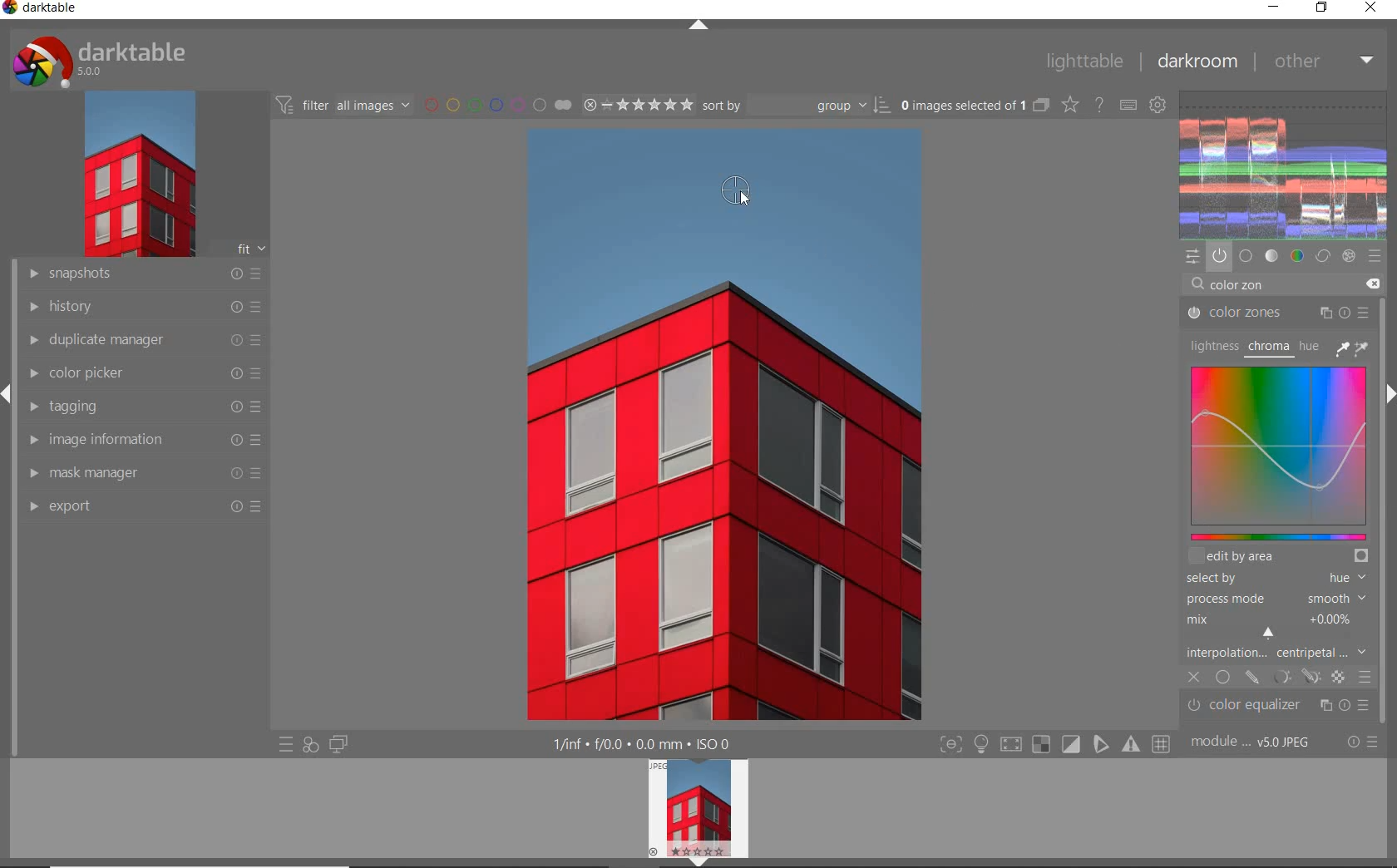 This screenshot has height=868, width=1397. What do you see at coordinates (1100, 745) in the screenshot?
I see `guides overlay` at bounding box center [1100, 745].